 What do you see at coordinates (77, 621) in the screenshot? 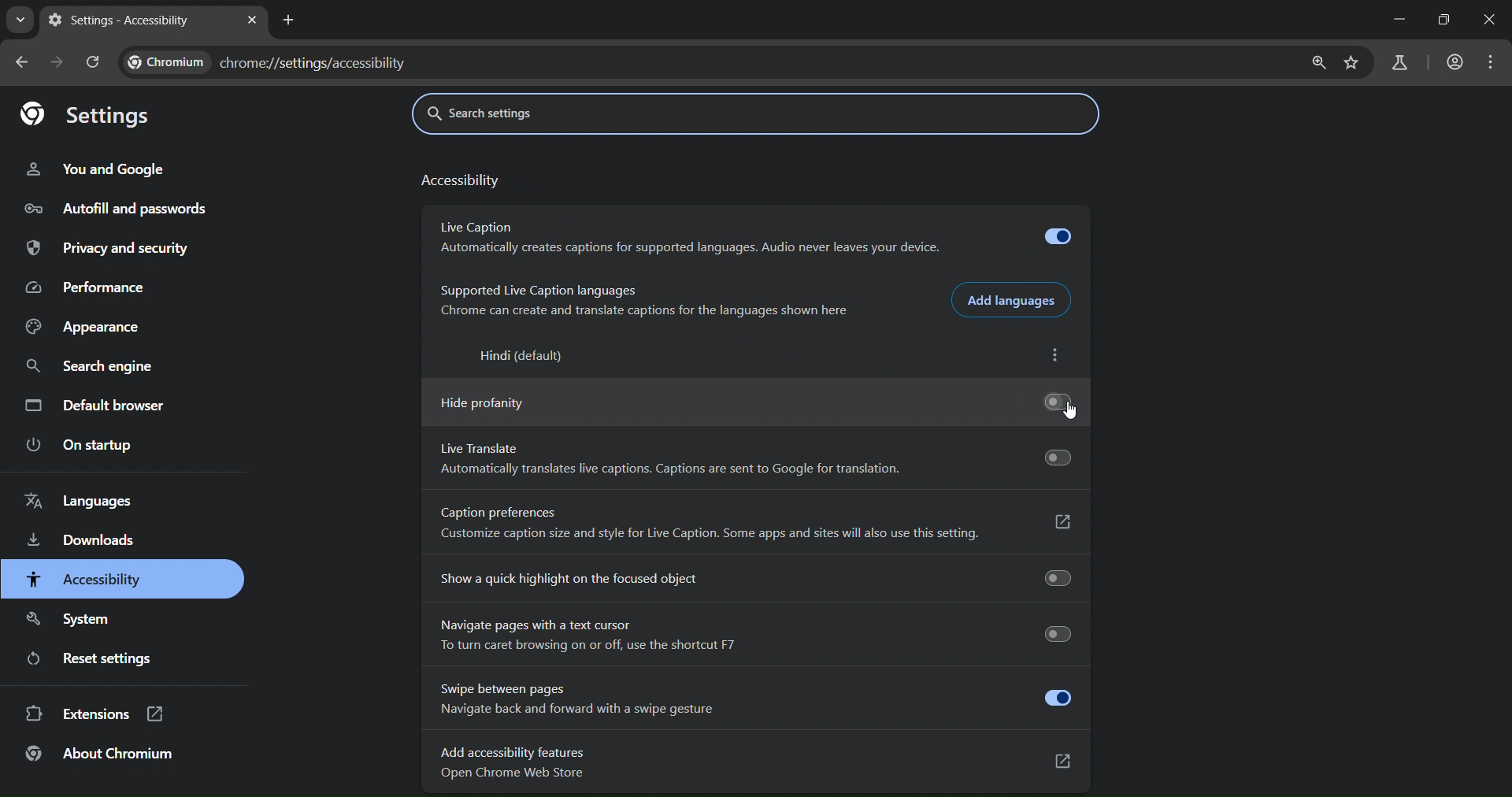
I see `system` at bounding box center [77, 621].